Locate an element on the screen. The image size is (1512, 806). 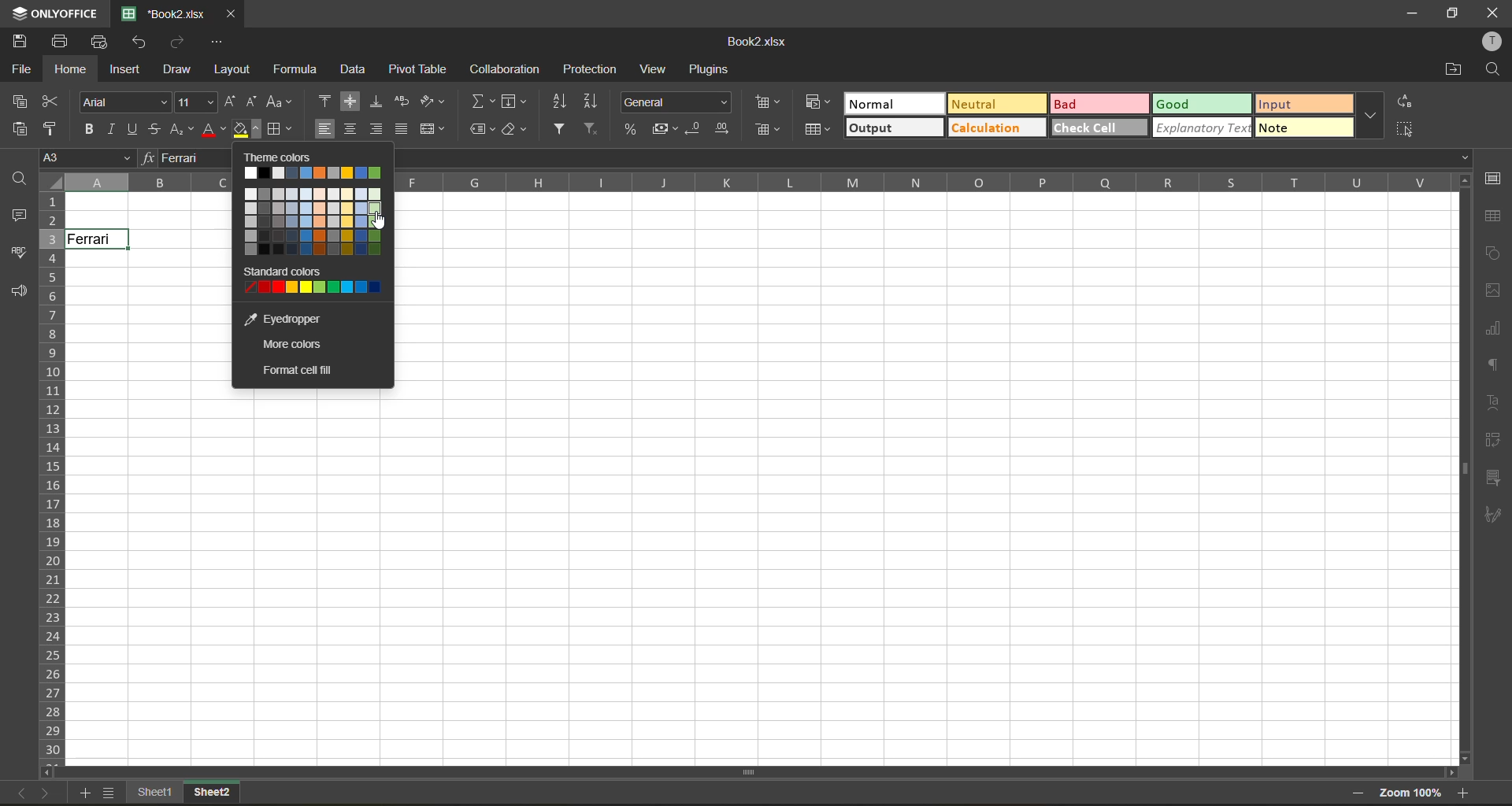
italic is located at coordinates (115, 128).